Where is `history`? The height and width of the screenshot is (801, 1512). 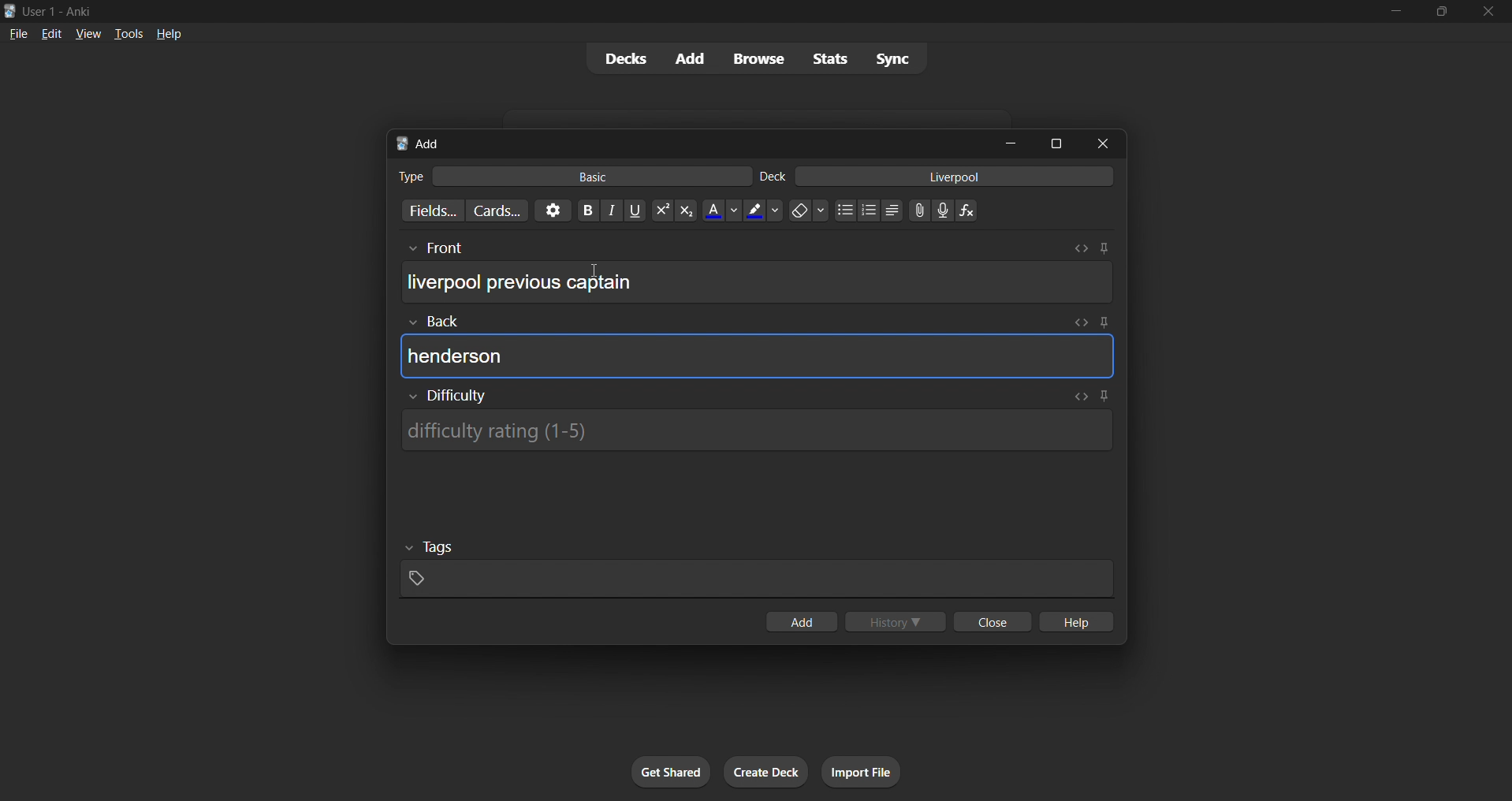 history is located at coordinates (898, 623).